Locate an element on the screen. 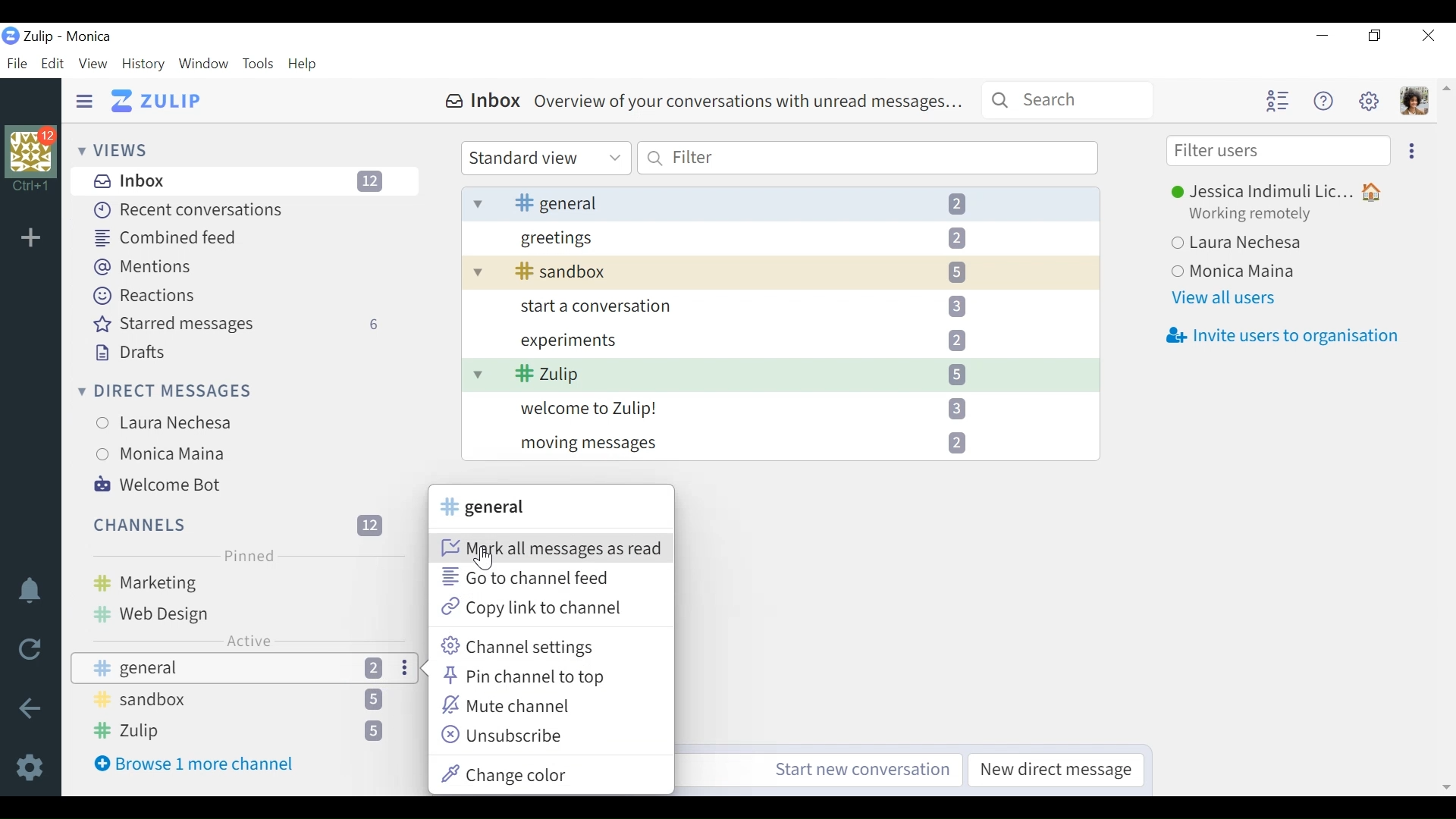  Zulip is located at coordinates (158, 102).